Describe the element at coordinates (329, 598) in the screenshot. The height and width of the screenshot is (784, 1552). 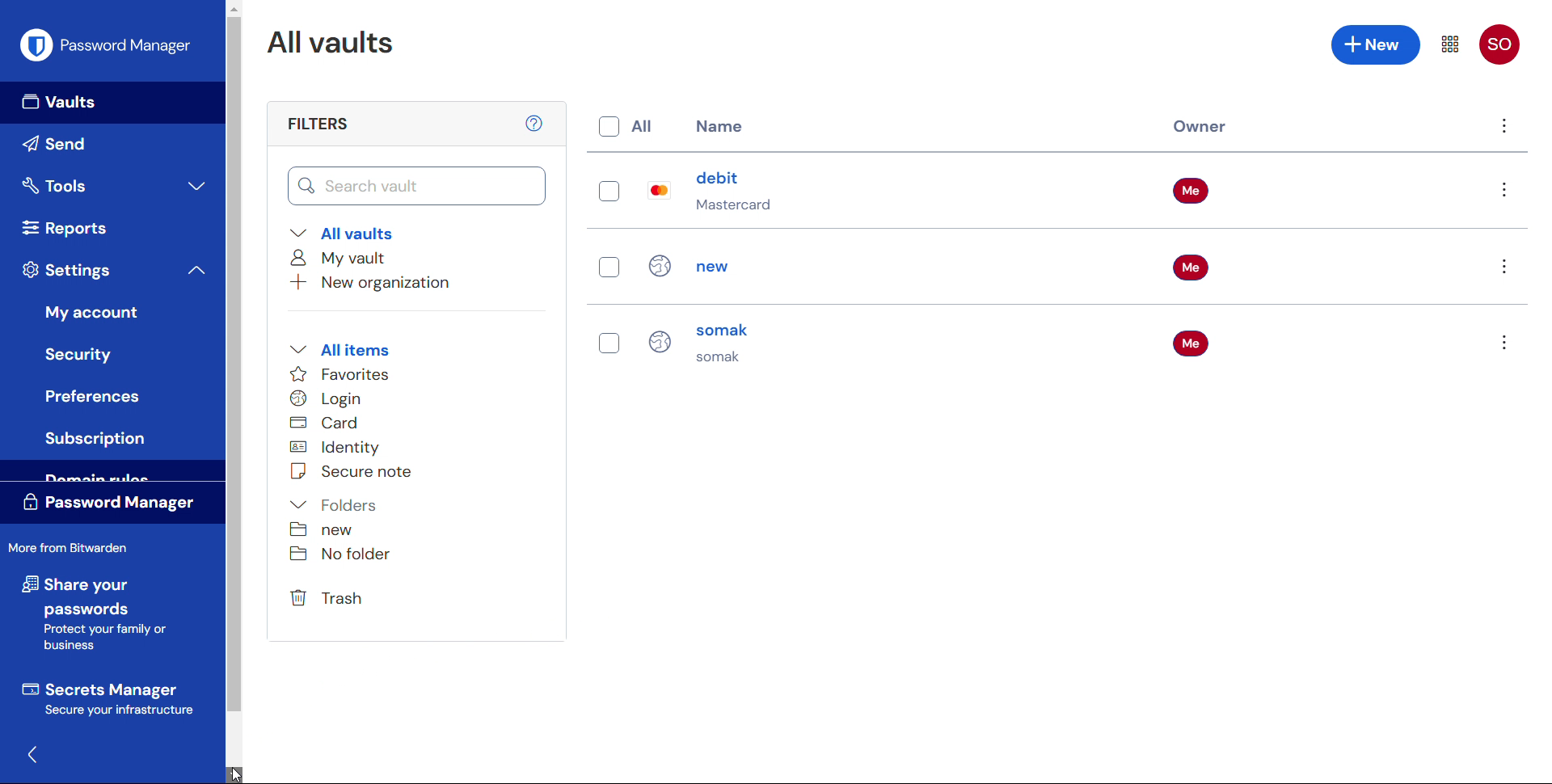
I see `trash ` at that location.